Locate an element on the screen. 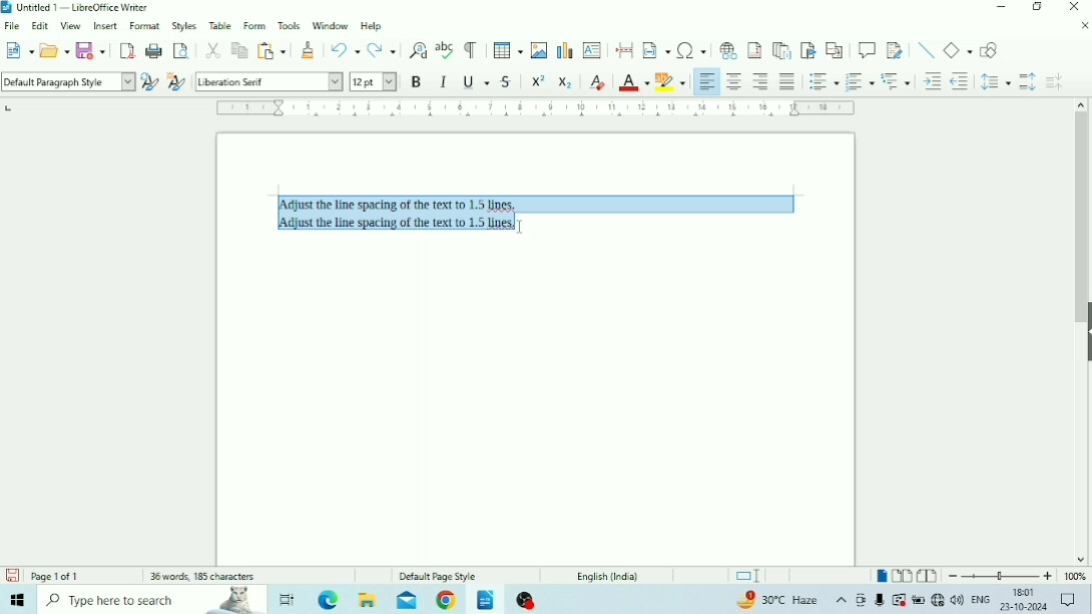 The width and height of the screenshot is (1092, 614). Decrease Paragraph Spacing is located at coordinates (1054, 83).